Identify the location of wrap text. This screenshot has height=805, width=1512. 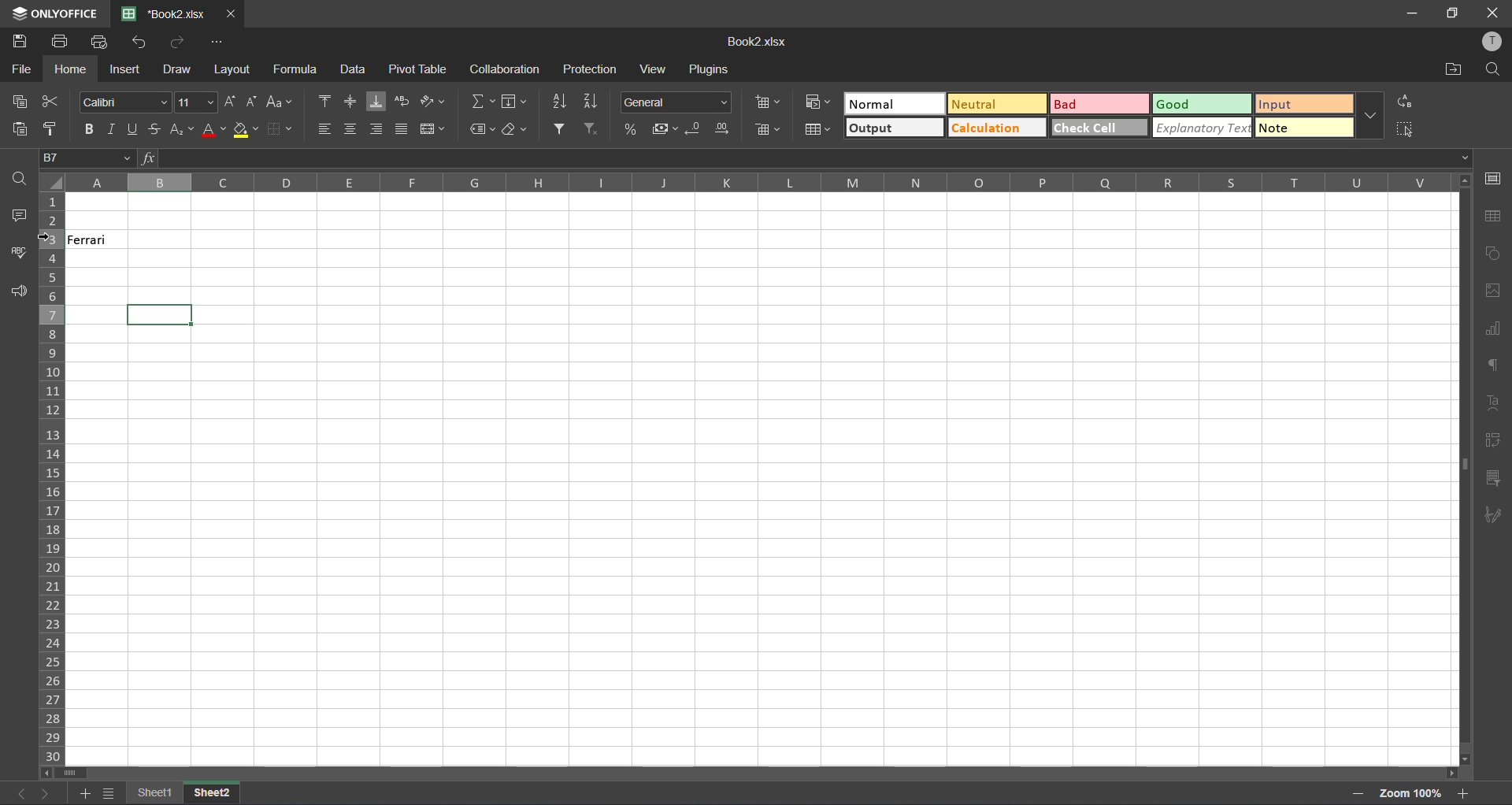
(404, 102).